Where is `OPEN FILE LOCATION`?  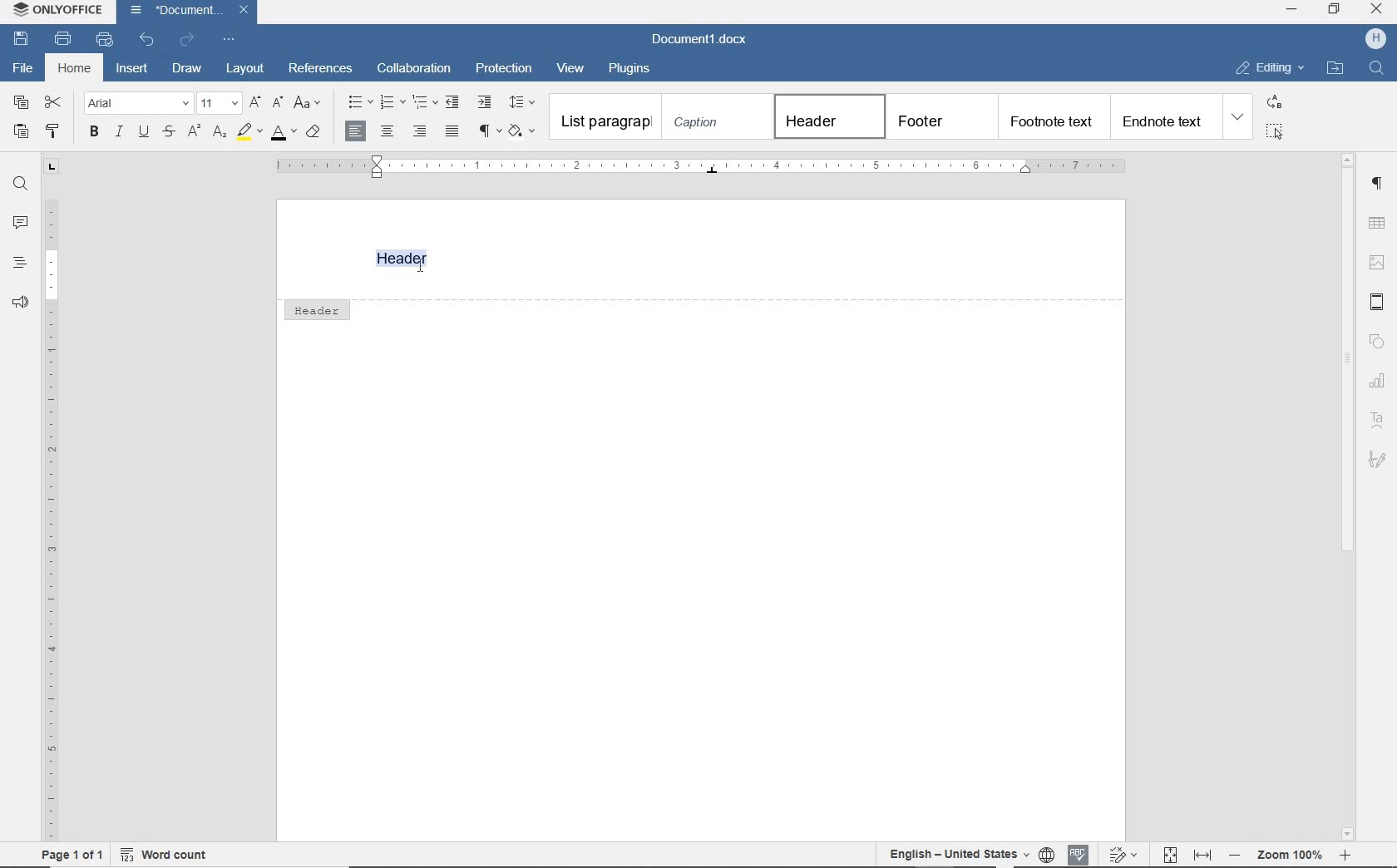
OPEN FILE LOCATION is located at coordinates (1335, 68).